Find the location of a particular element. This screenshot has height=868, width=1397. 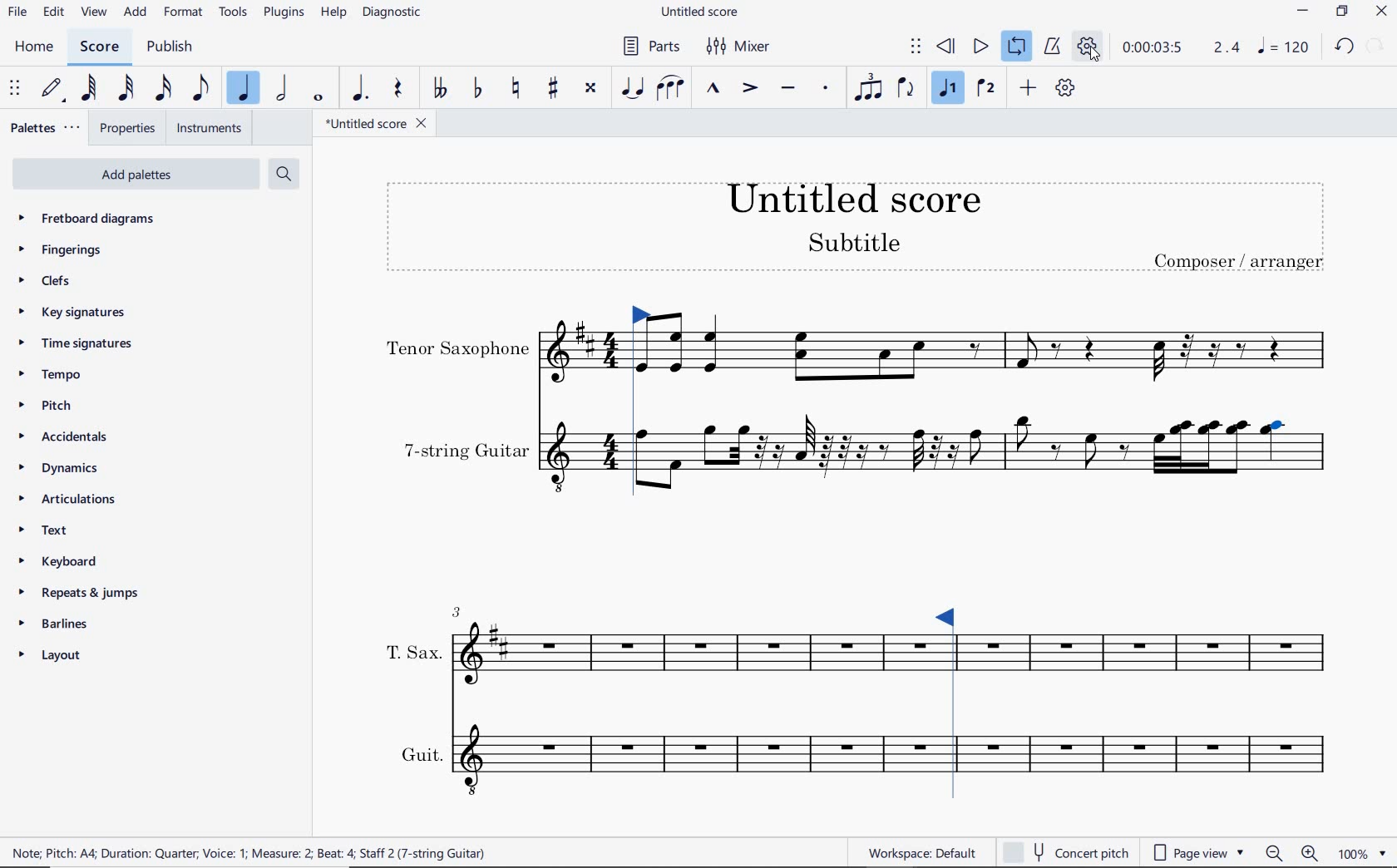

PUBLISH is located at coordinates (170, 50).